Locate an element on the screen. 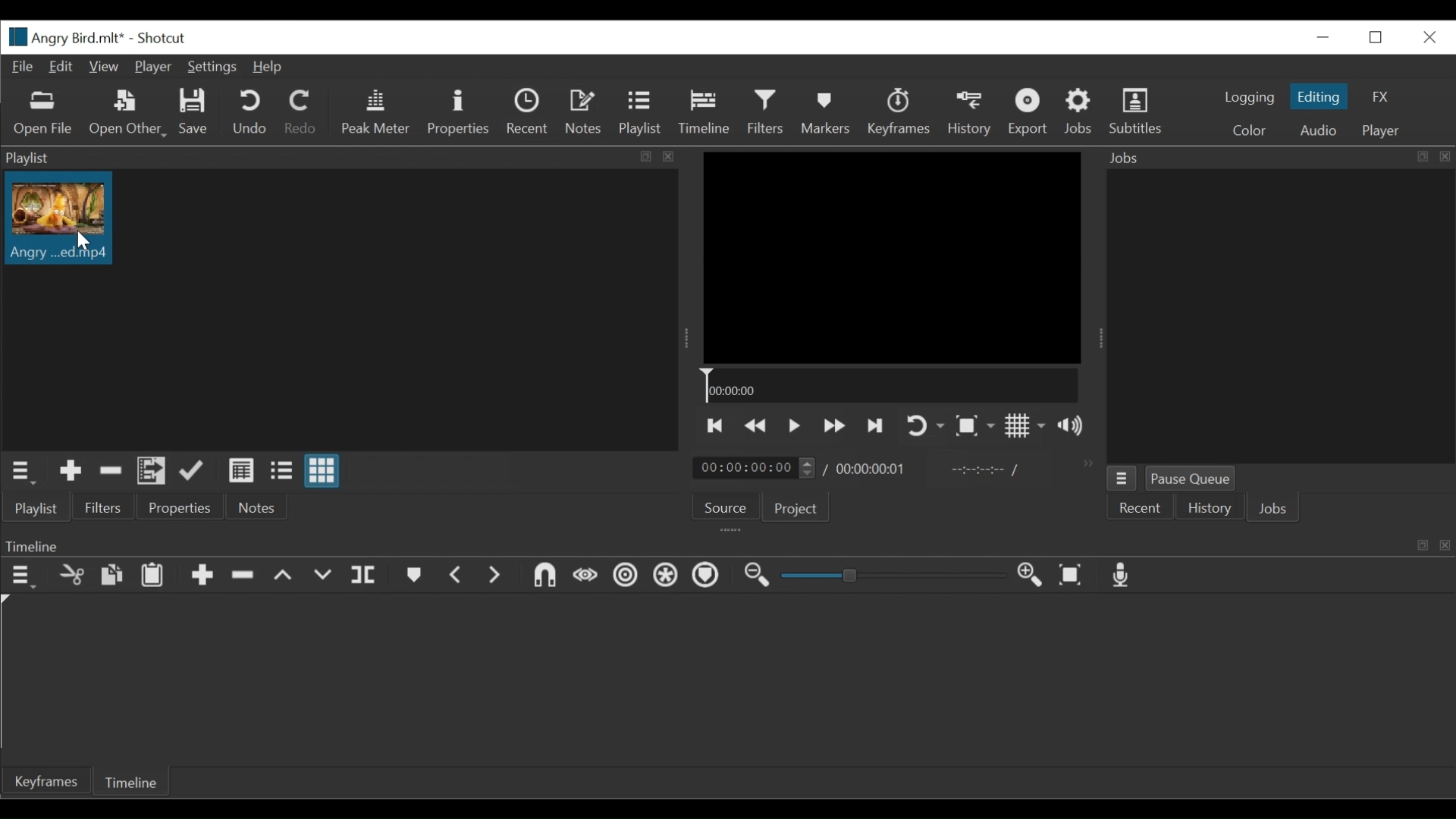 This screenshot has height=819, width=1456. Playlist is located at coordinates (639, 111).